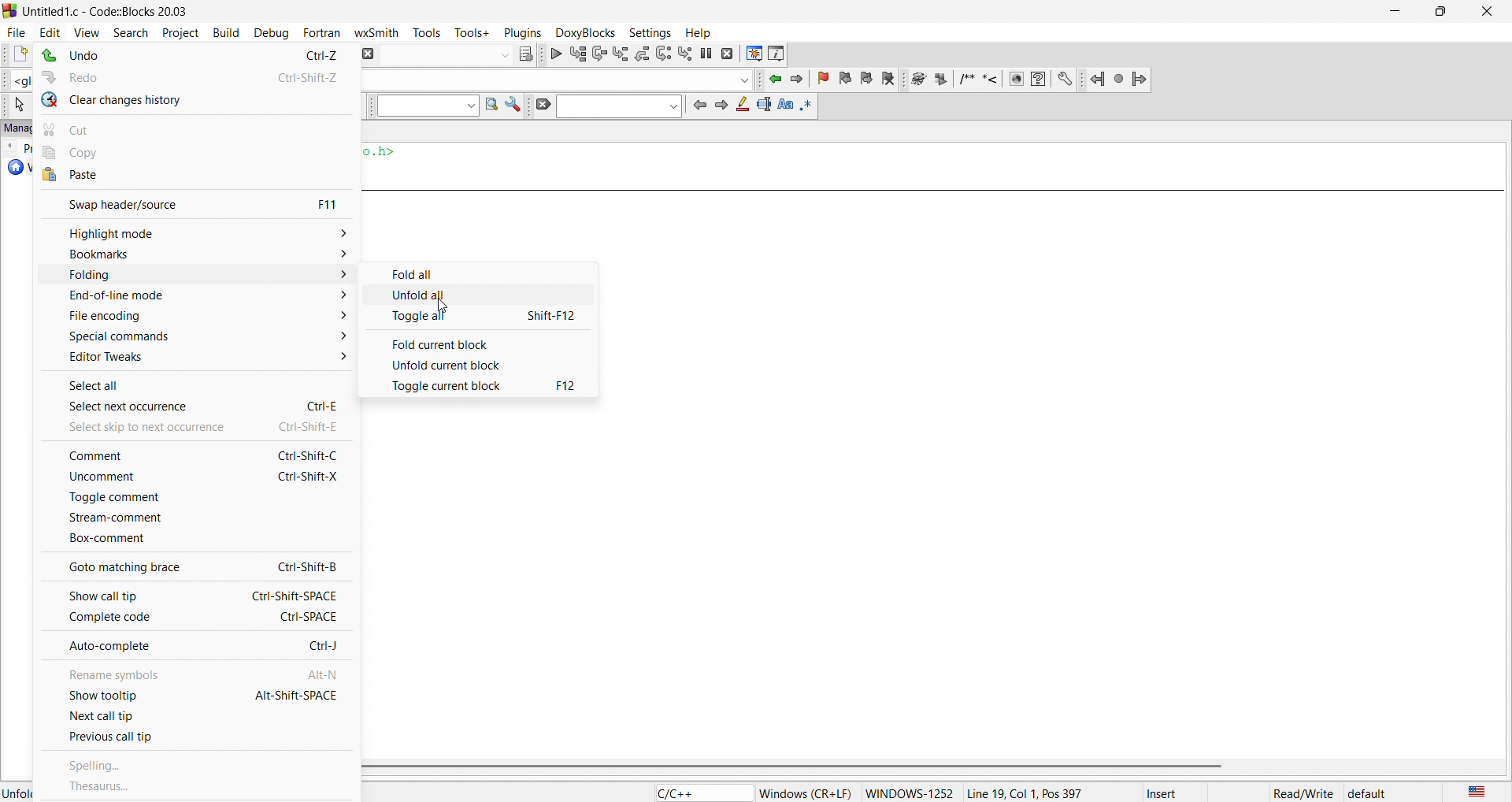 Image resolution: width=1512 pixels, height=802 pixels. I want to click on help, so click(1038, 79).